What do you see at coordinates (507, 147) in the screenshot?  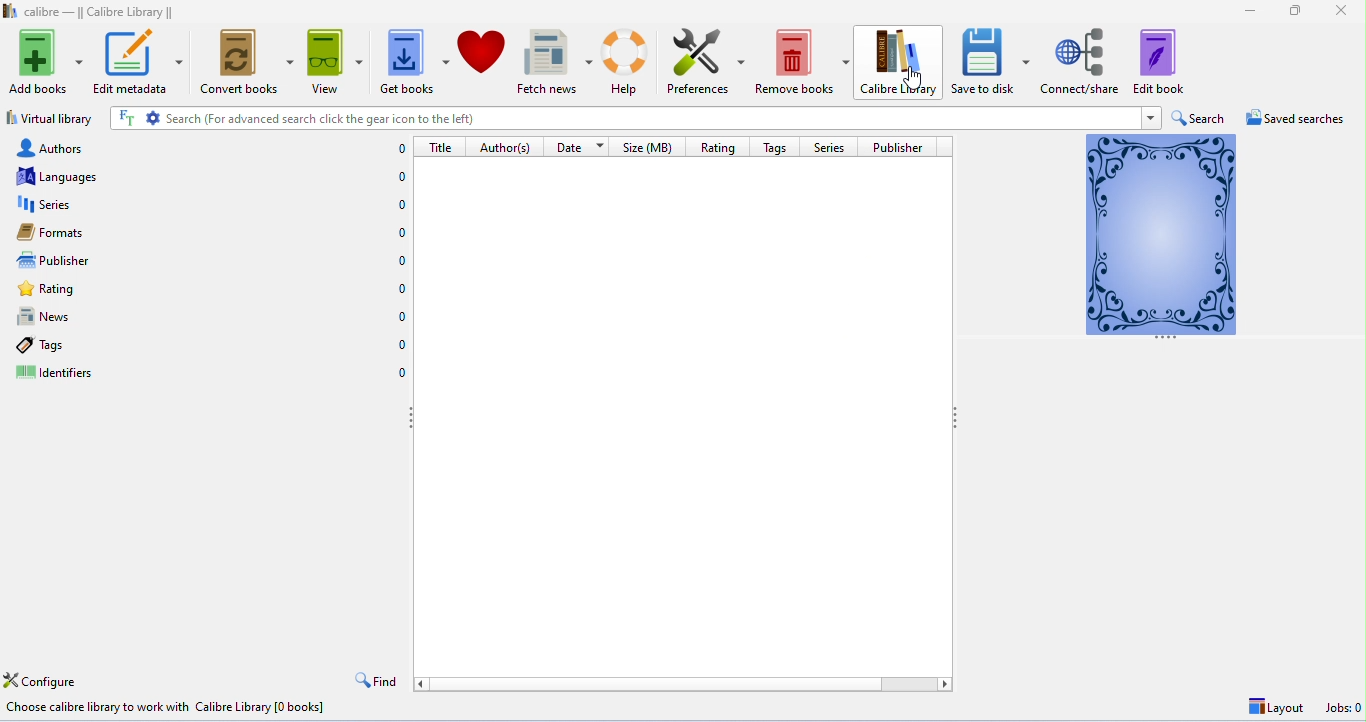 I see `author(s)` at bounding box center [507, 147].